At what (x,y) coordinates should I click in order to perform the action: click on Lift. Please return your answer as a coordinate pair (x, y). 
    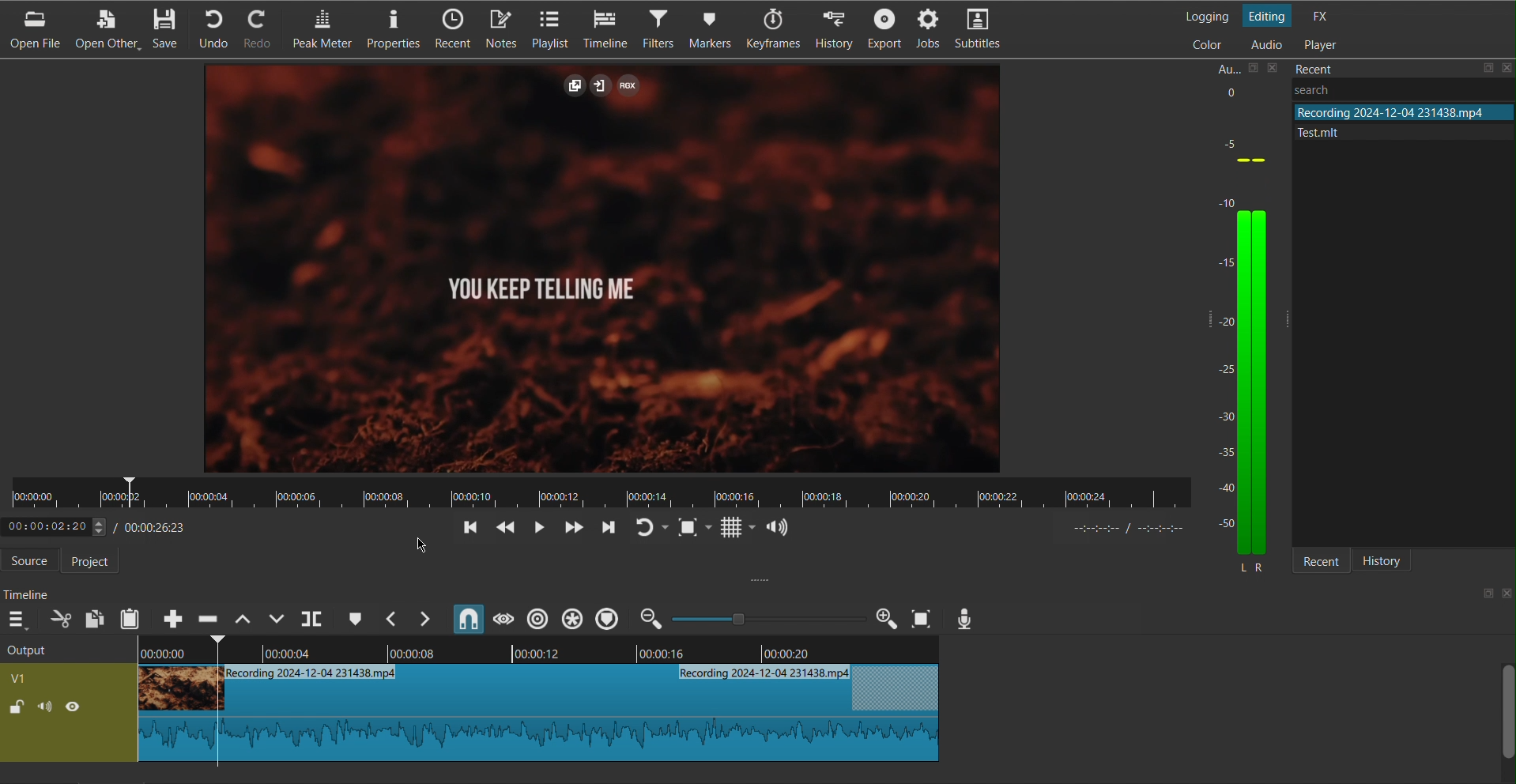
    Looking at the image, I should click on (242, 617).